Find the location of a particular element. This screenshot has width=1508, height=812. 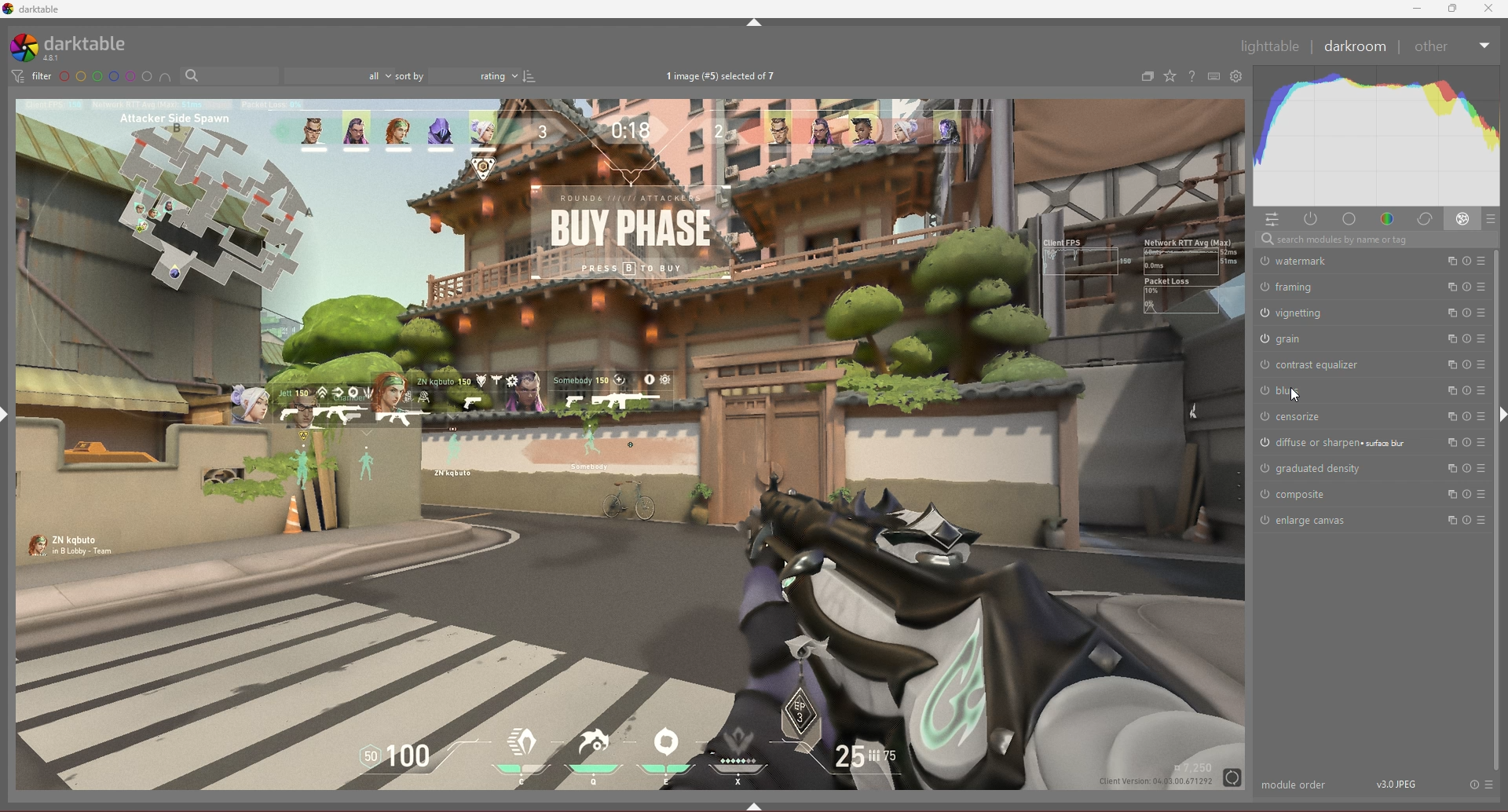

multiple instances action is located at coordinates (1448, 339).